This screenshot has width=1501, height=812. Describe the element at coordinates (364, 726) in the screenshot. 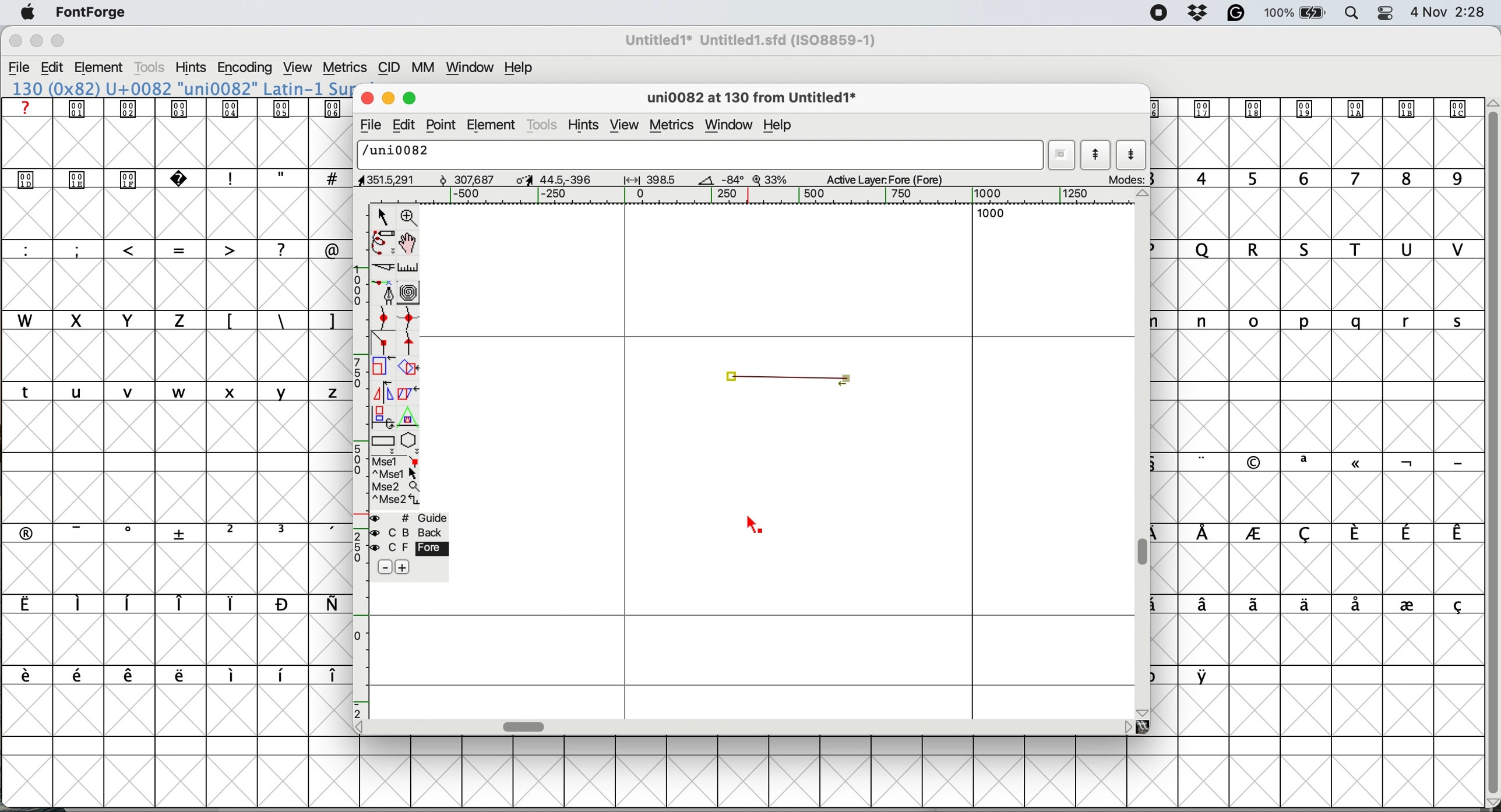

I see `scroll button` at that location.